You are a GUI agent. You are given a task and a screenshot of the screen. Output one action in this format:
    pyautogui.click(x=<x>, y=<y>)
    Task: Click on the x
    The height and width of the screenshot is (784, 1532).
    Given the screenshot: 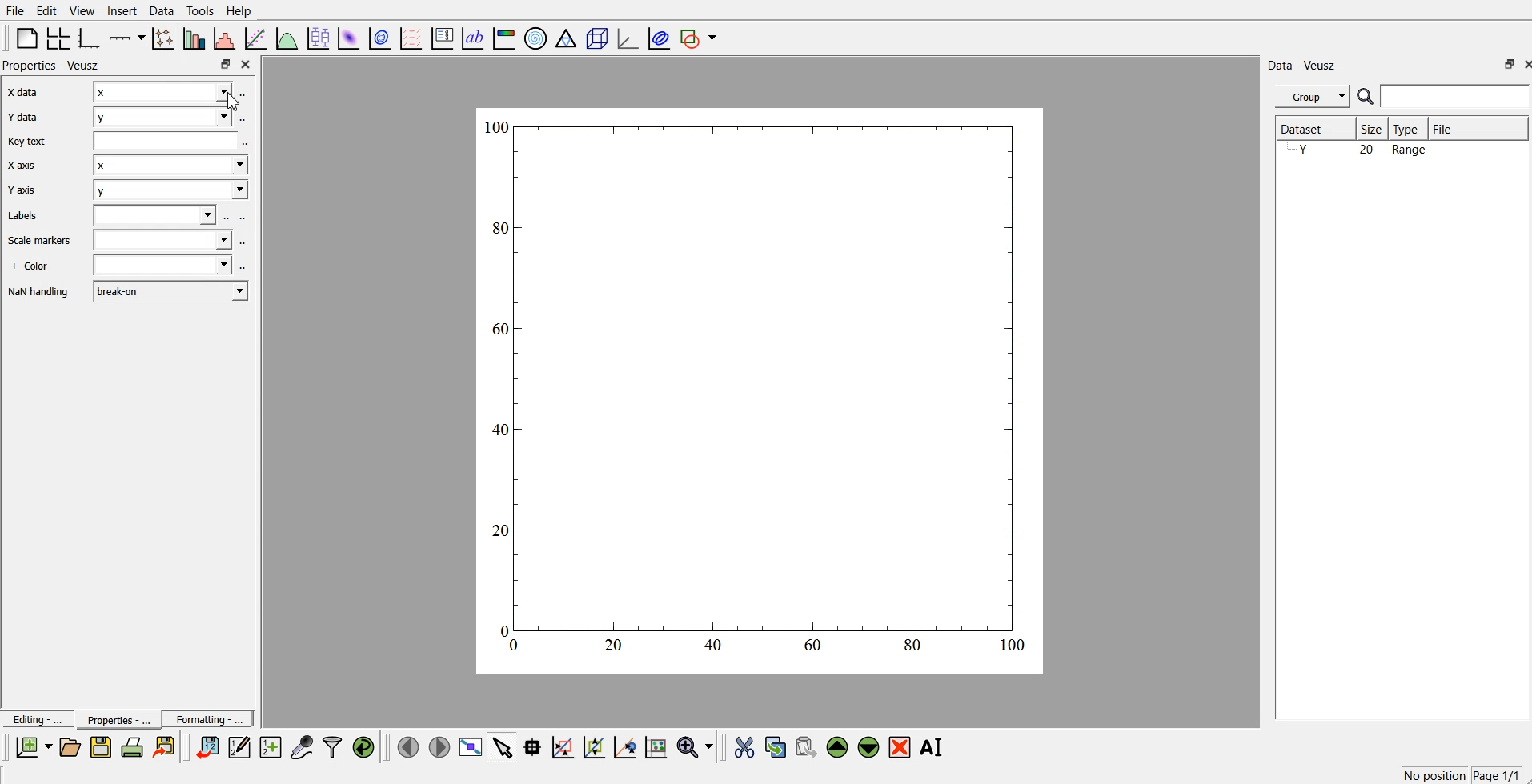 What is the action you would take?
    pyautogui.click(x=170, y=165)
    